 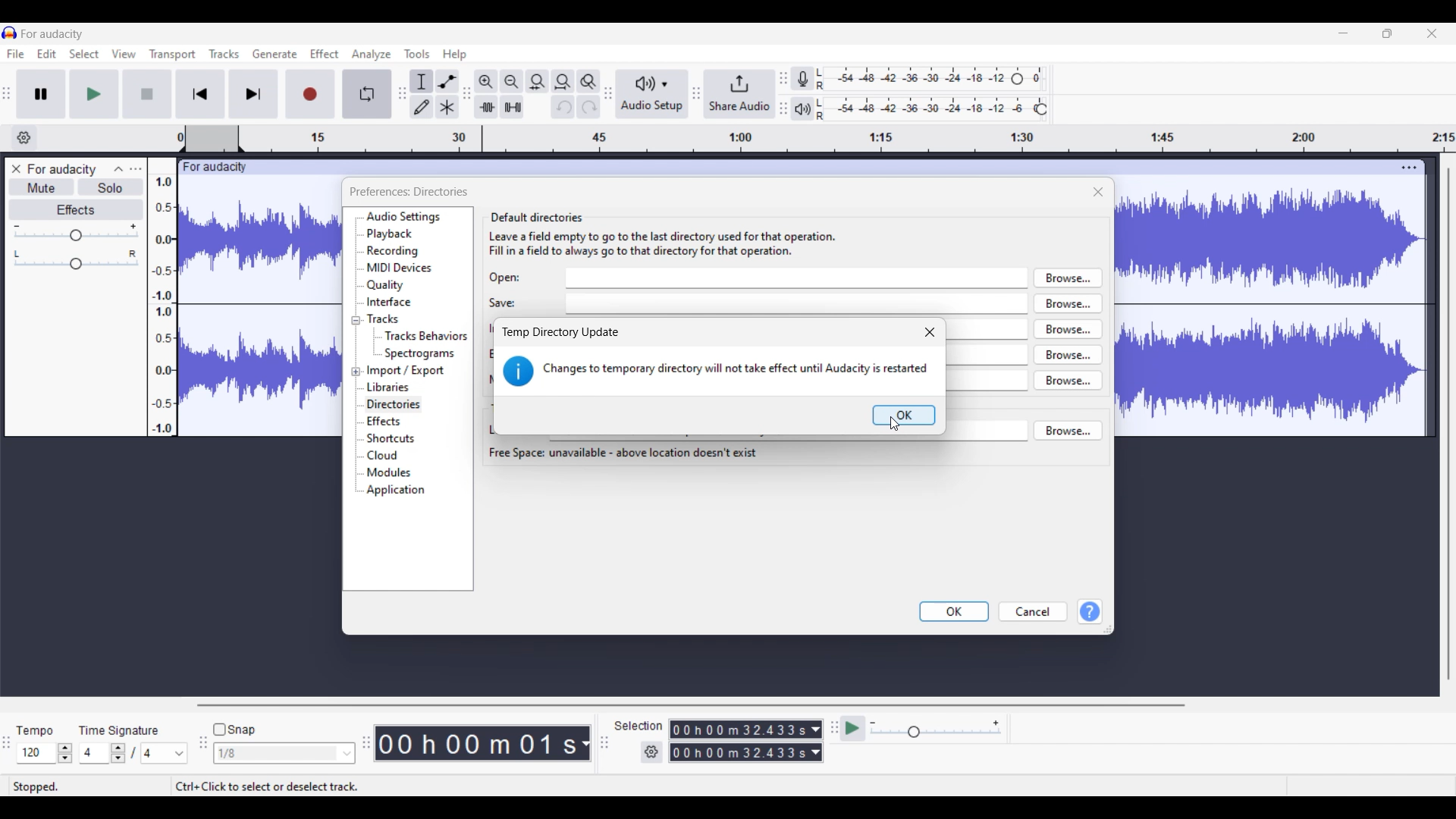 What do you see at coordinates (77, 209) in the screenshot?
I see `Effects` at bounding box center [77, 209].